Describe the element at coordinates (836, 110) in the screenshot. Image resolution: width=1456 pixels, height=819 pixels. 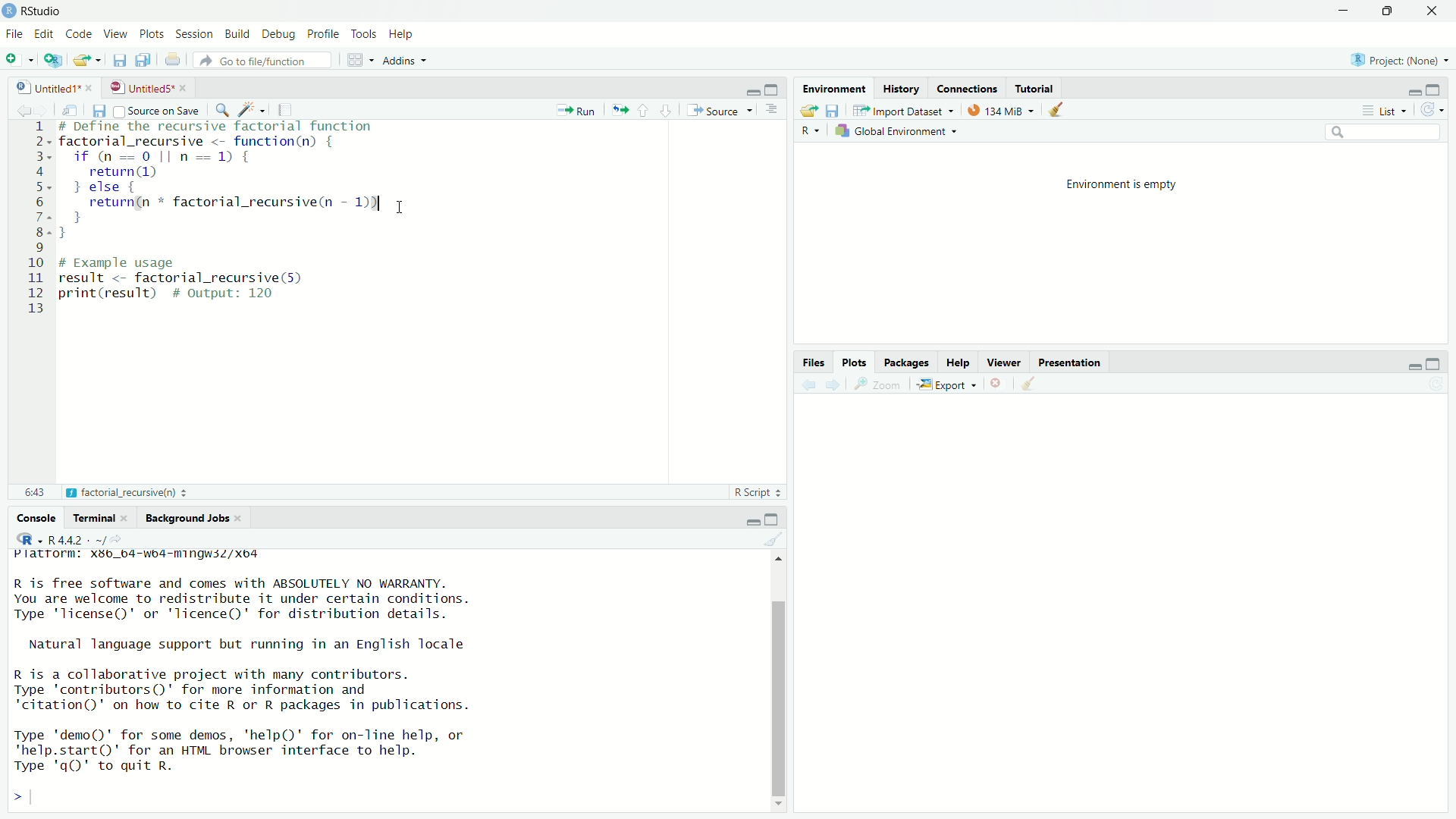
I see `Save workspace as` at that location.